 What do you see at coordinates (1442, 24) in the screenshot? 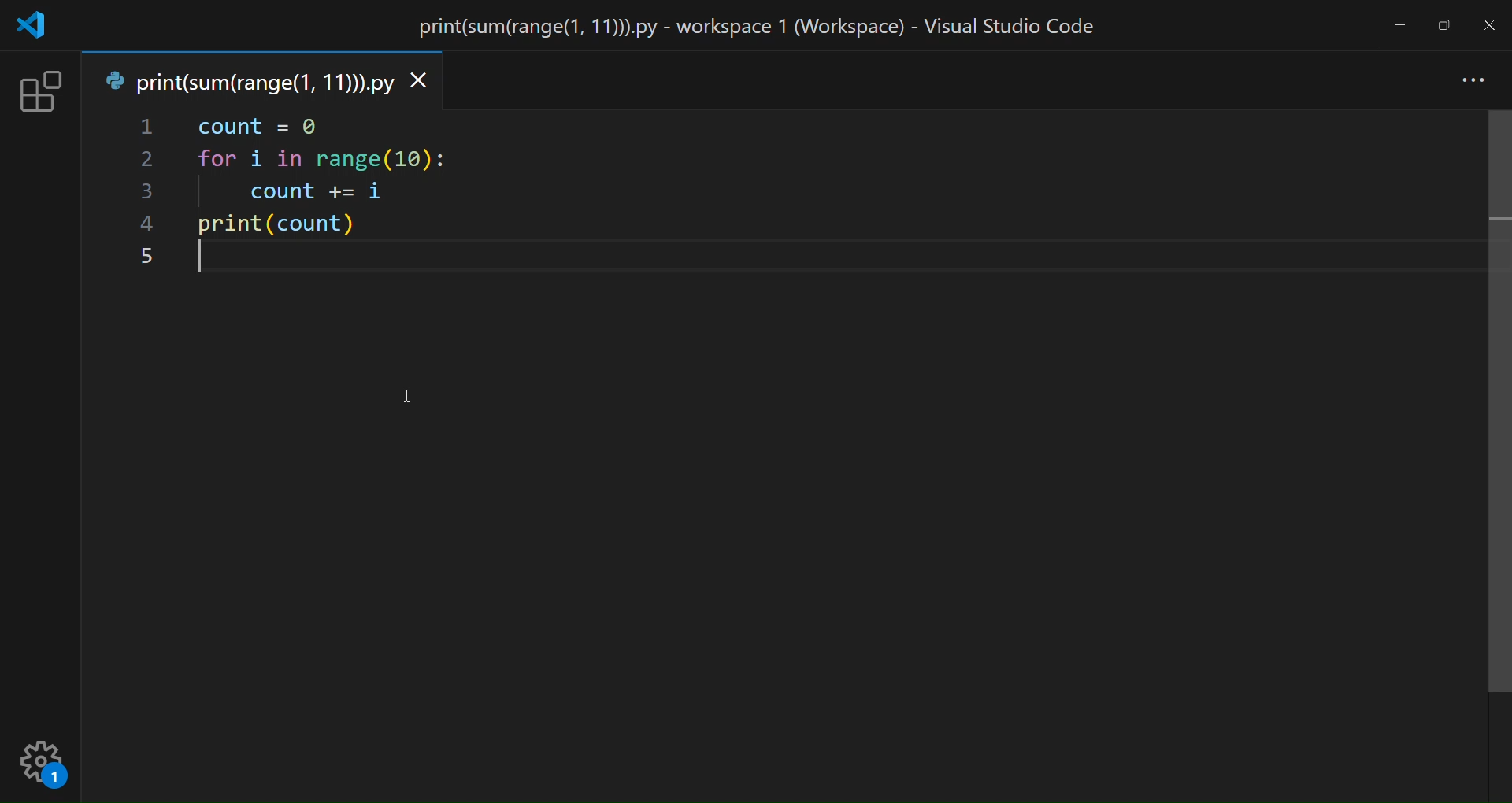
I see `maximize` at bounding box center [1442, 24].